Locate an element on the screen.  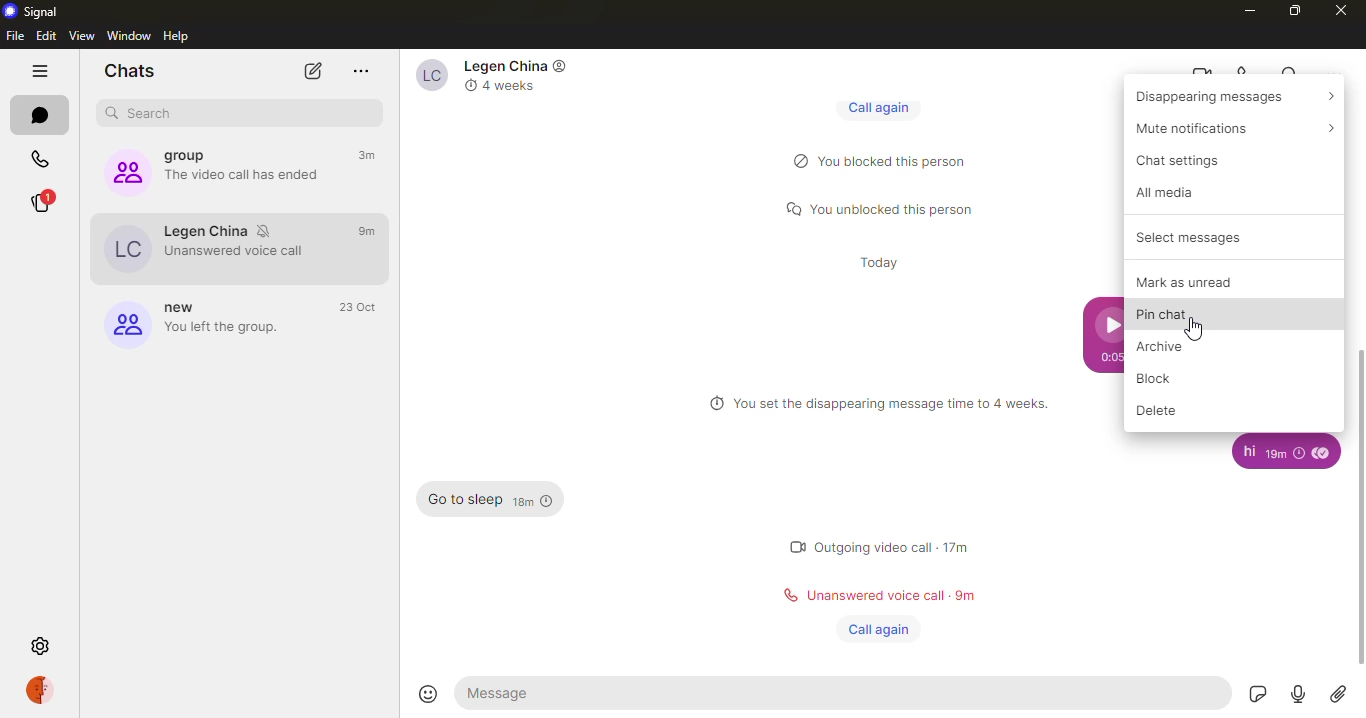
chat settings is located at coordinates (1206, 159).